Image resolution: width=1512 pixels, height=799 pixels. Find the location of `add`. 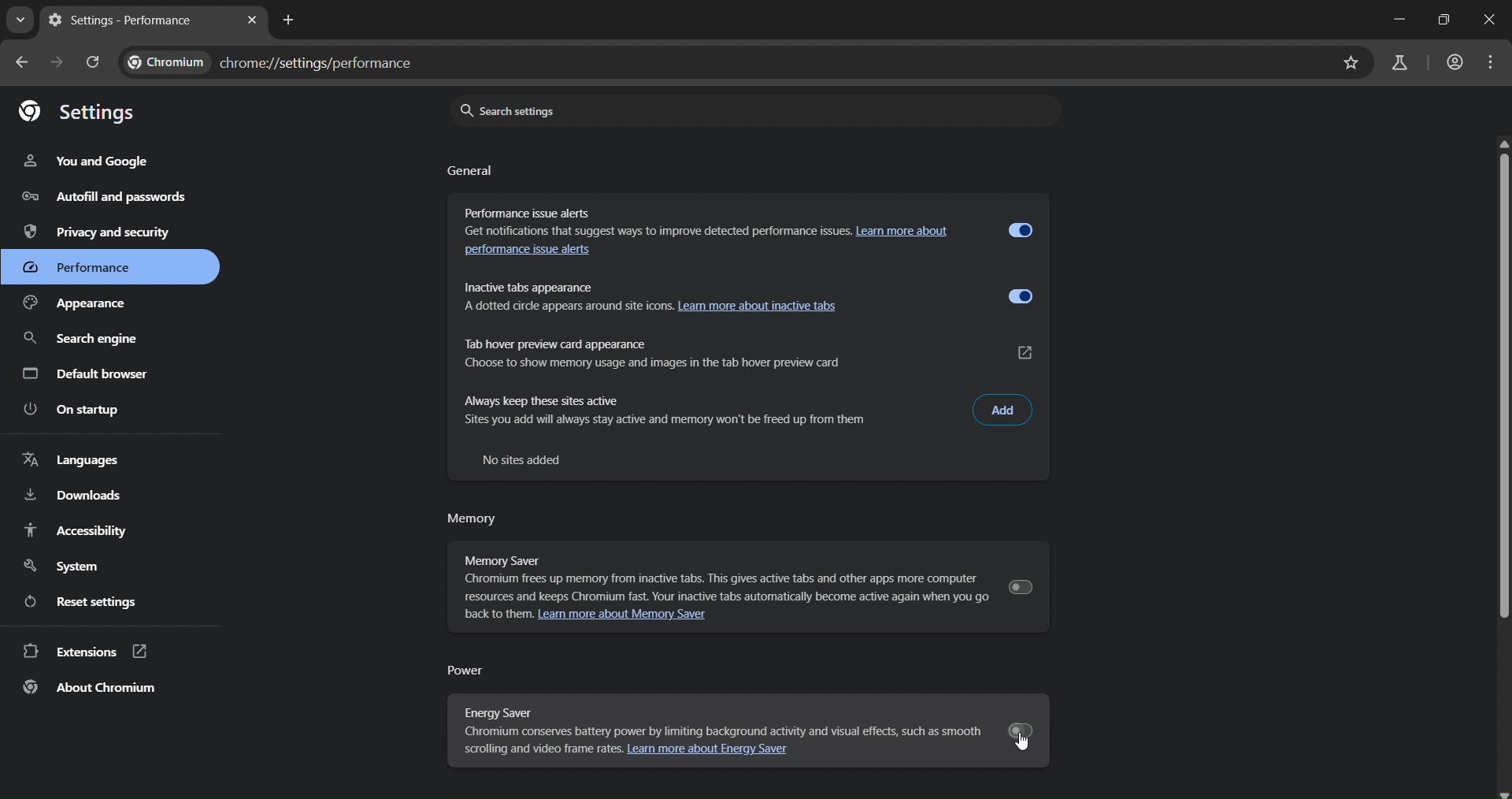

add is located at coordinates (1003, 409).